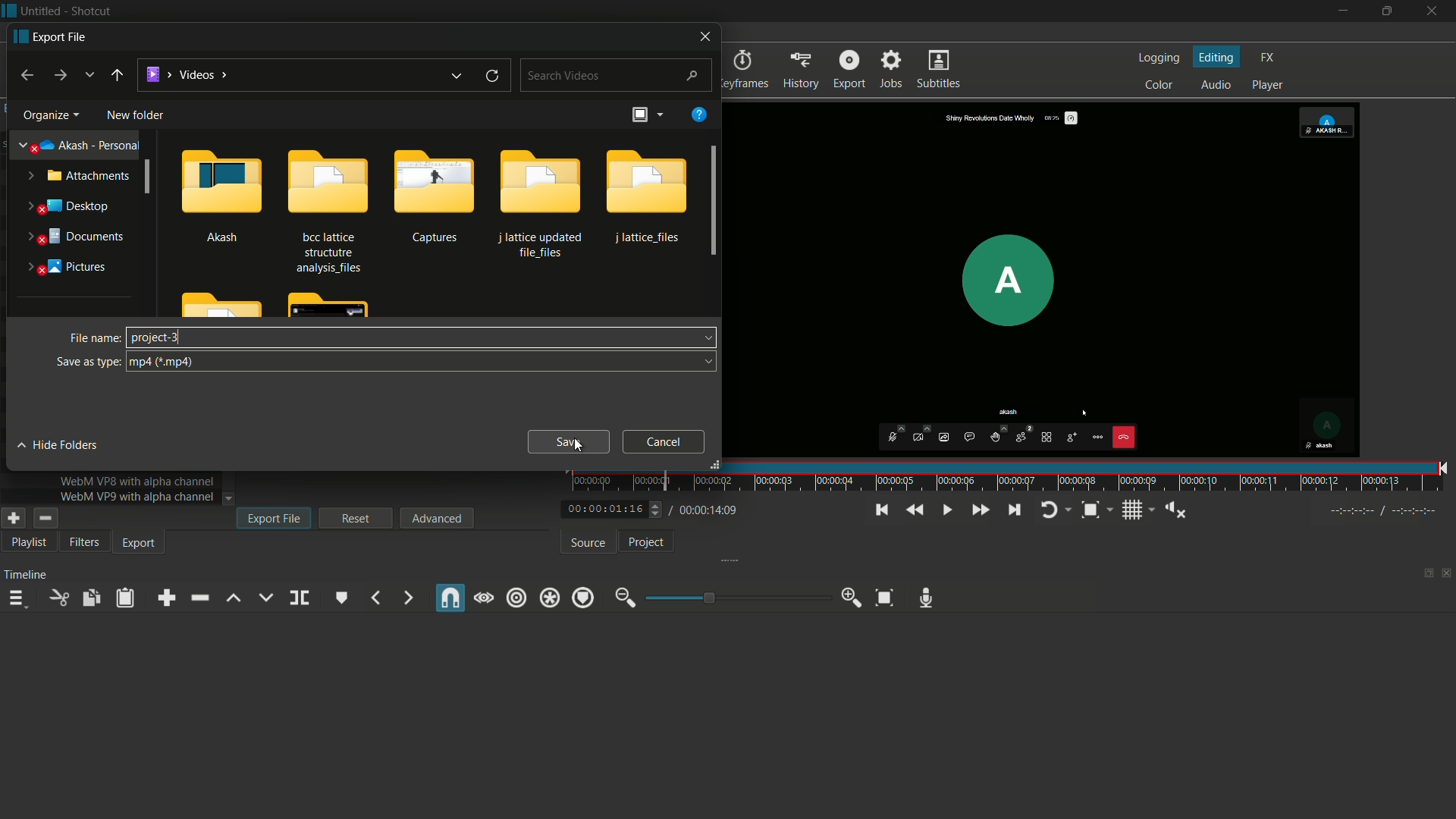 This screenshot has height=819, width=1456. What do you see at coordinates (234, 598) in the screenshot?
I see `lift` at bounding box center [234, 598].